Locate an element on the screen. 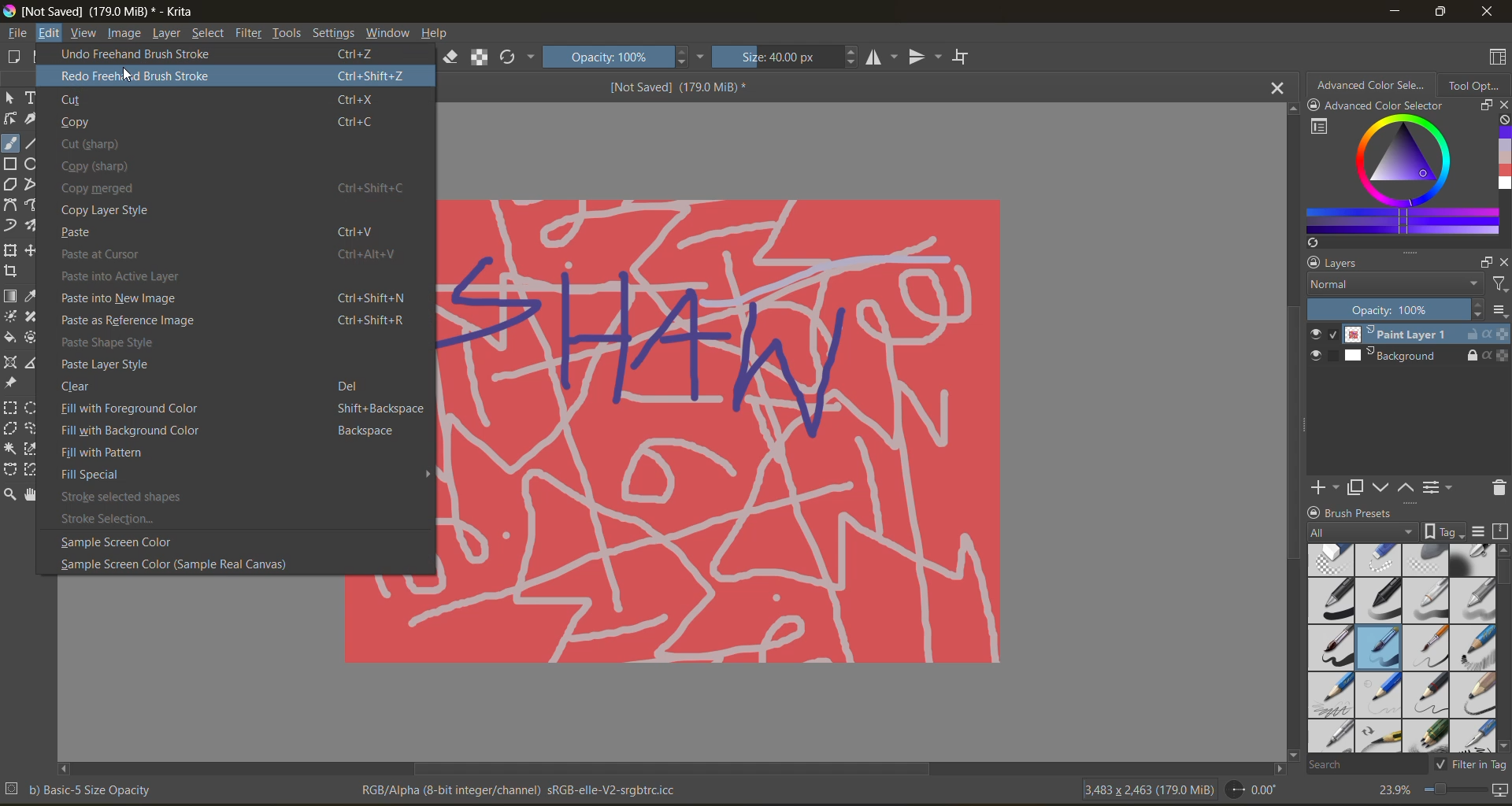 This screenshot has height=806, width=1512. contiguous selection tool is located at coordinates (11, 447).